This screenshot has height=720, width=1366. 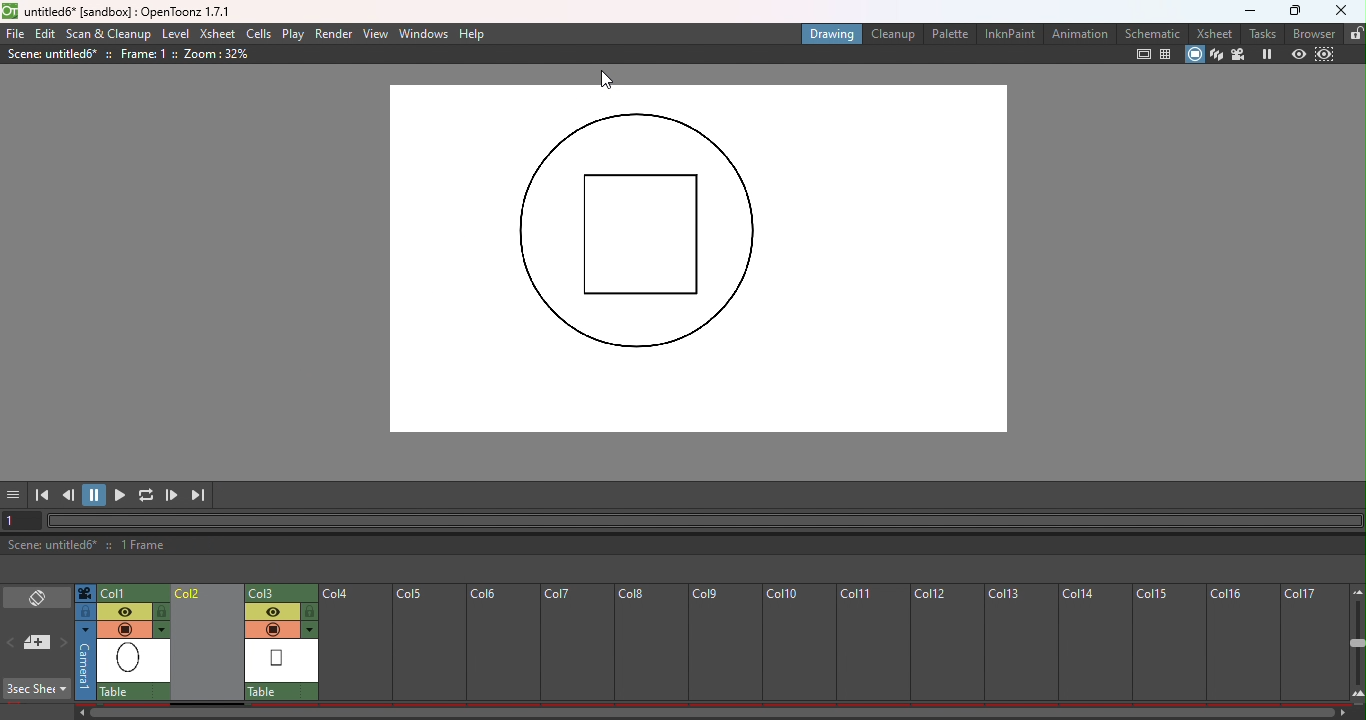 I want to click on scene, so click(x=134, y=661).